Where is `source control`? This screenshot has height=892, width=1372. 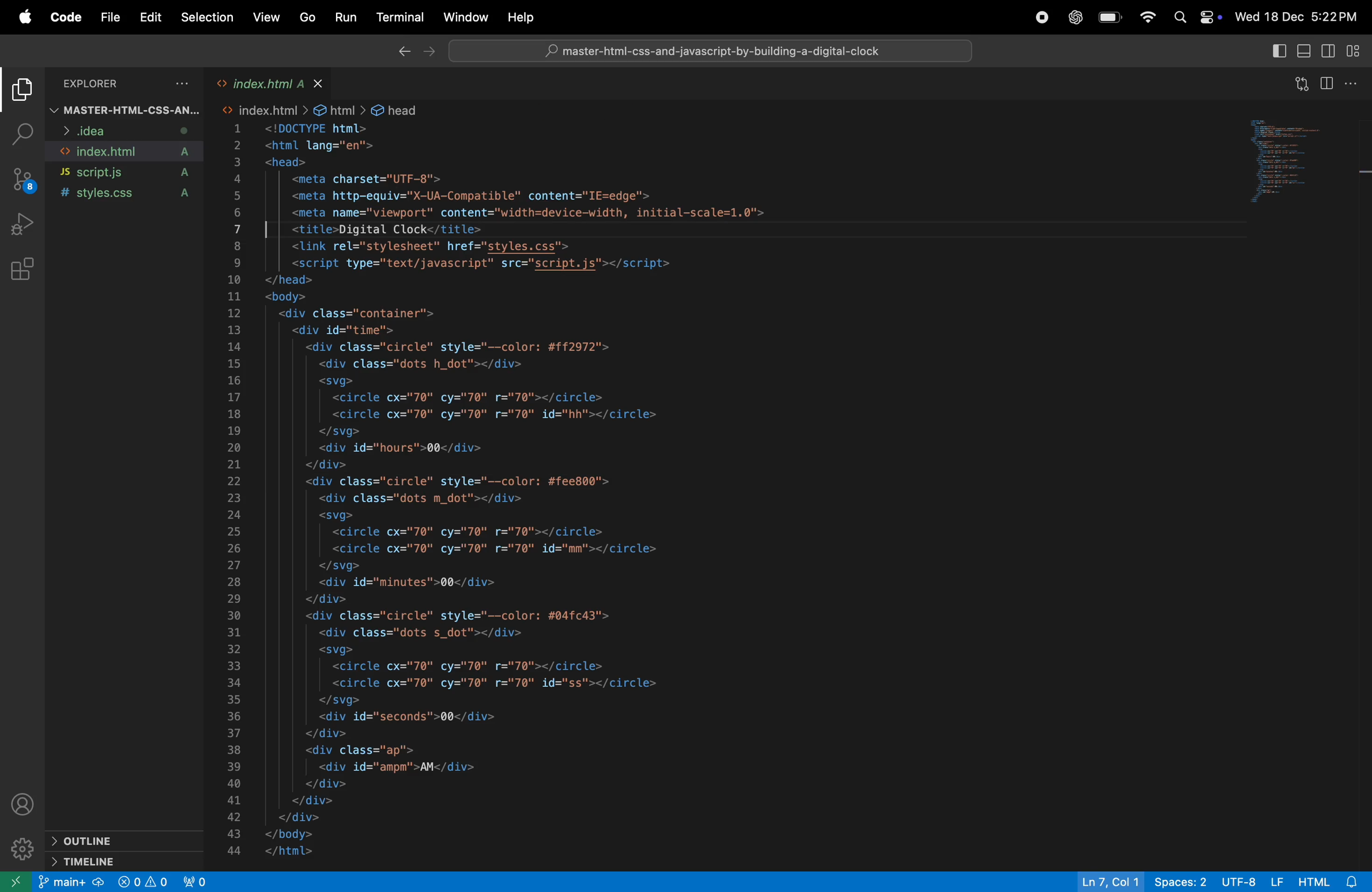
source control is located at coordinates (22, 181).